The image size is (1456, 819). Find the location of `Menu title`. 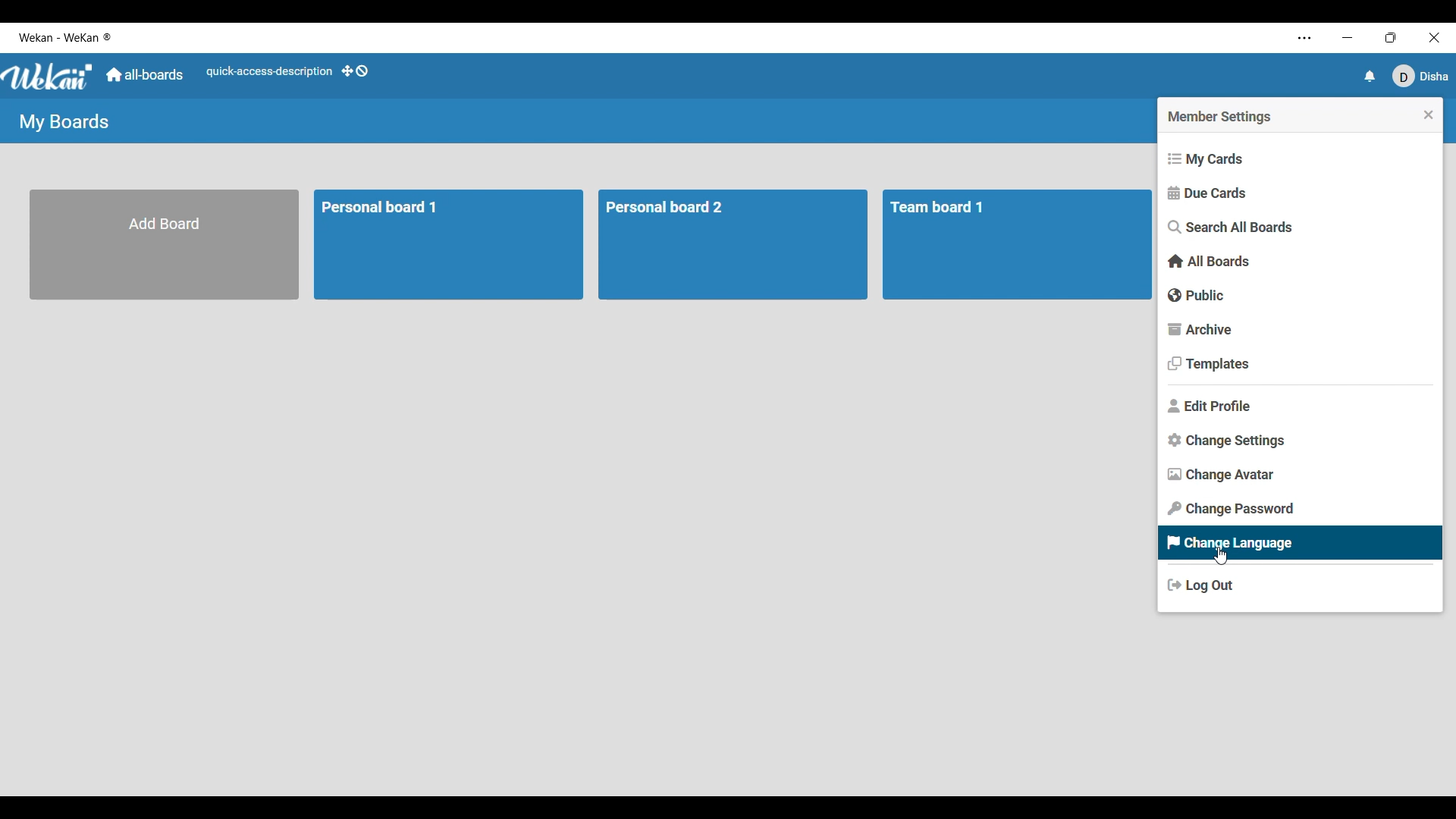

Menu title is located at coordinates (1221, 118).